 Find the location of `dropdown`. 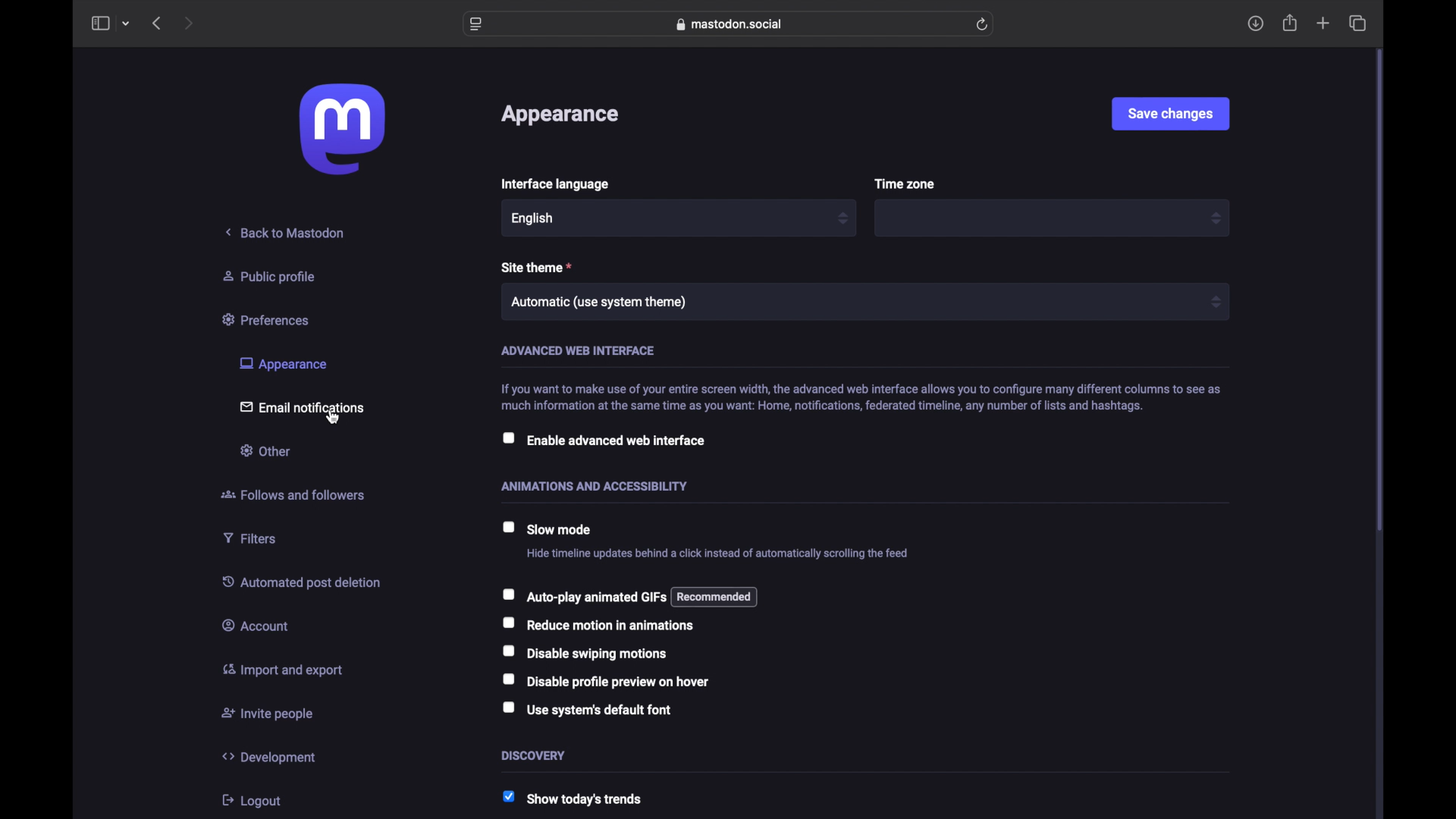

dropdown is located at coordinates (1215, 218).